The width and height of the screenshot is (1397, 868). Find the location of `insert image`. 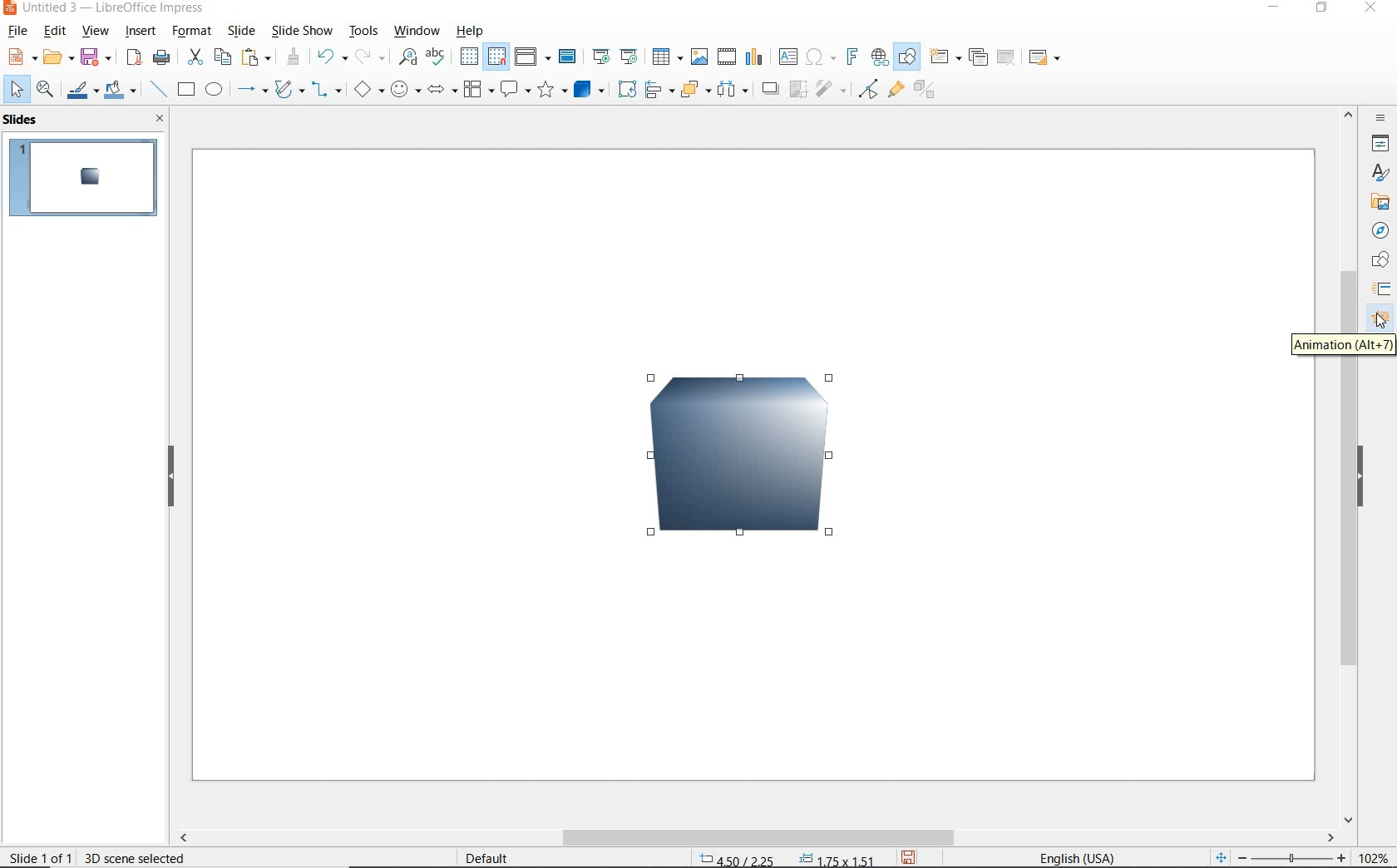

insert image is located at coordinates (702, 57).